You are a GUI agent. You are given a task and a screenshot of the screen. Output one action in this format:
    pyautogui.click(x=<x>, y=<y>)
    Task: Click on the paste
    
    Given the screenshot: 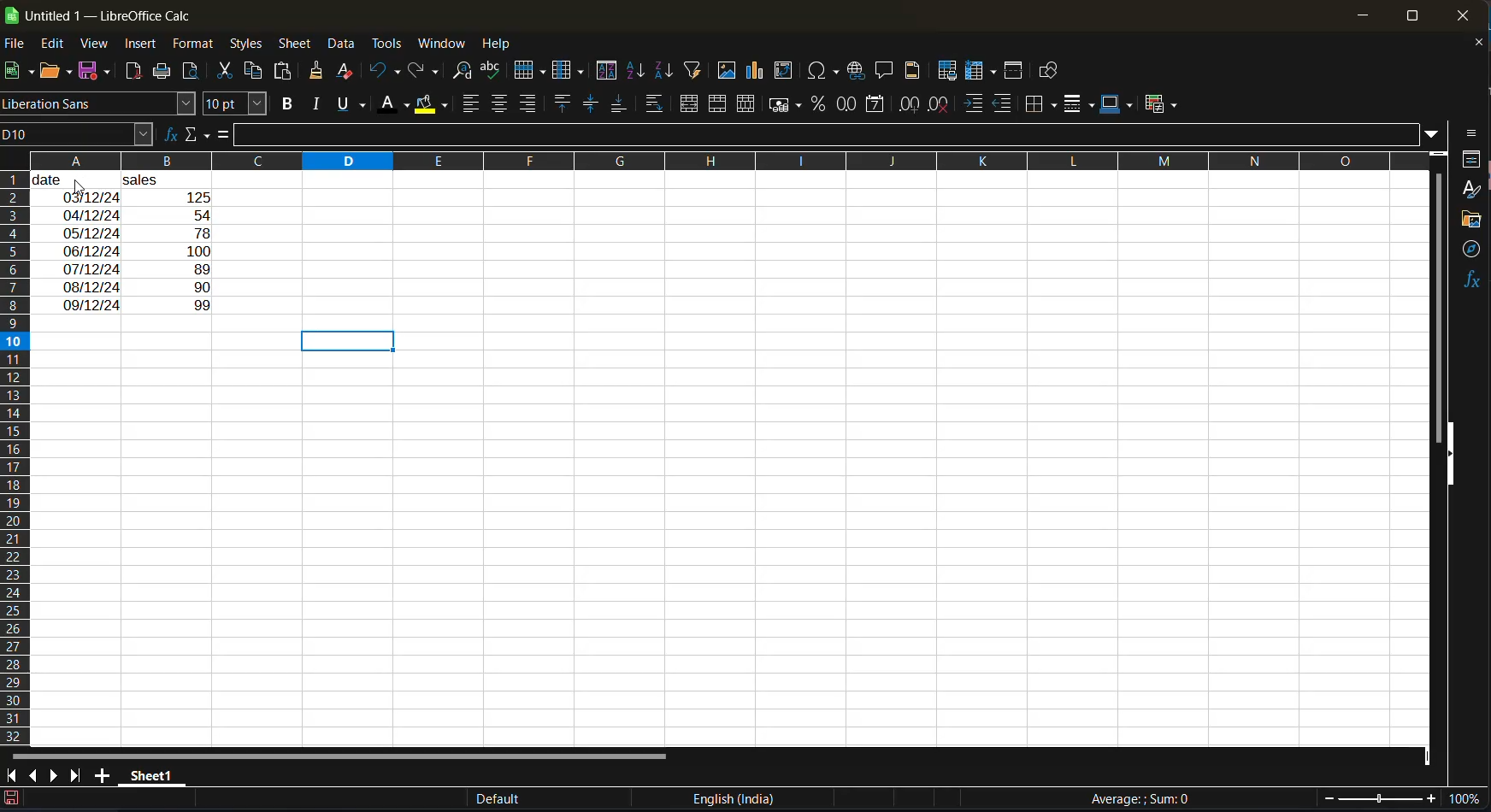 What is the action you would take?
    pyautogui.click(x=286, y=71)
    